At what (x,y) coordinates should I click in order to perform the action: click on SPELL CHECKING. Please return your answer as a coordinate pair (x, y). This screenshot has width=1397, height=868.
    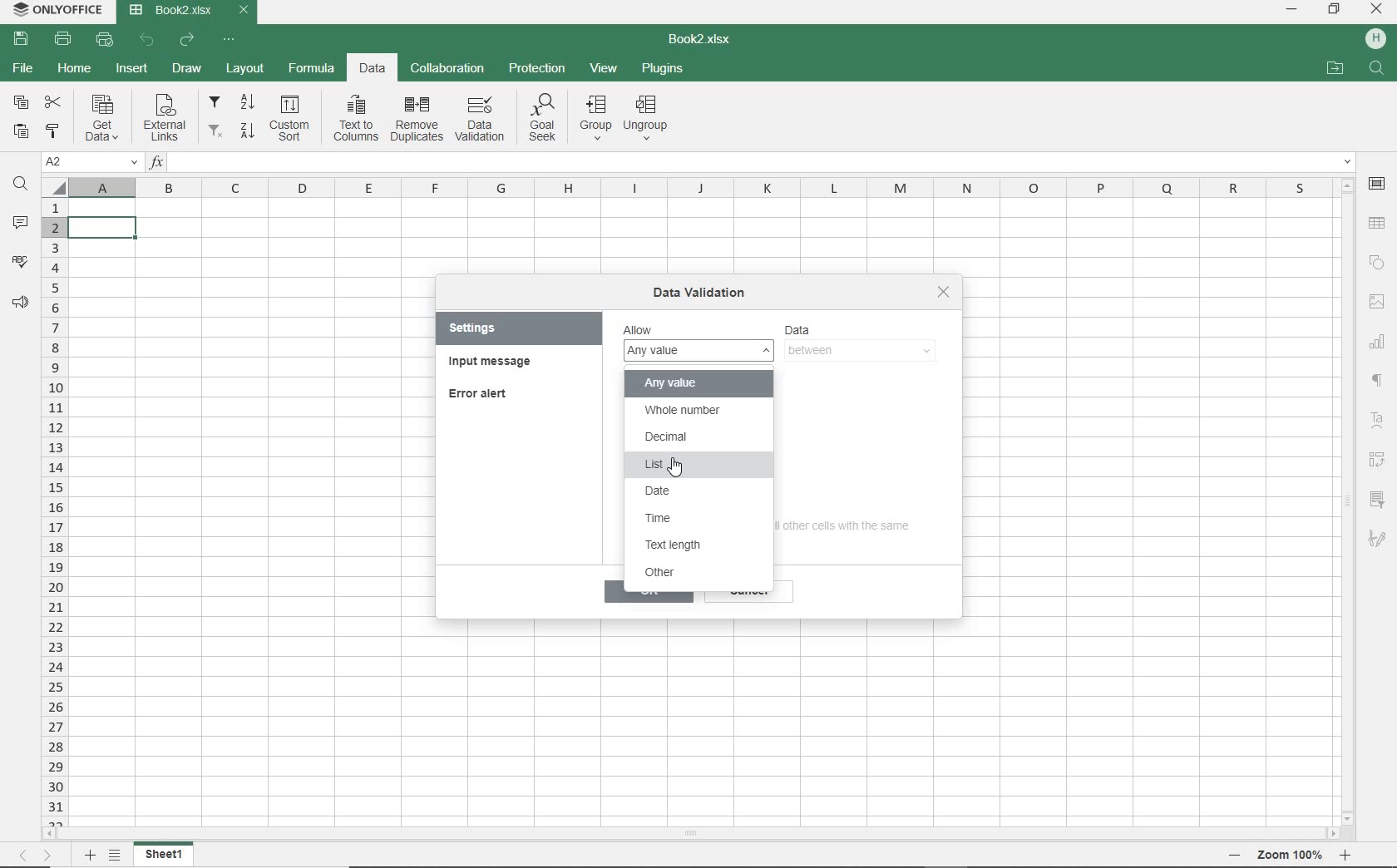
    Looking at the image, I should click on (21, 261).